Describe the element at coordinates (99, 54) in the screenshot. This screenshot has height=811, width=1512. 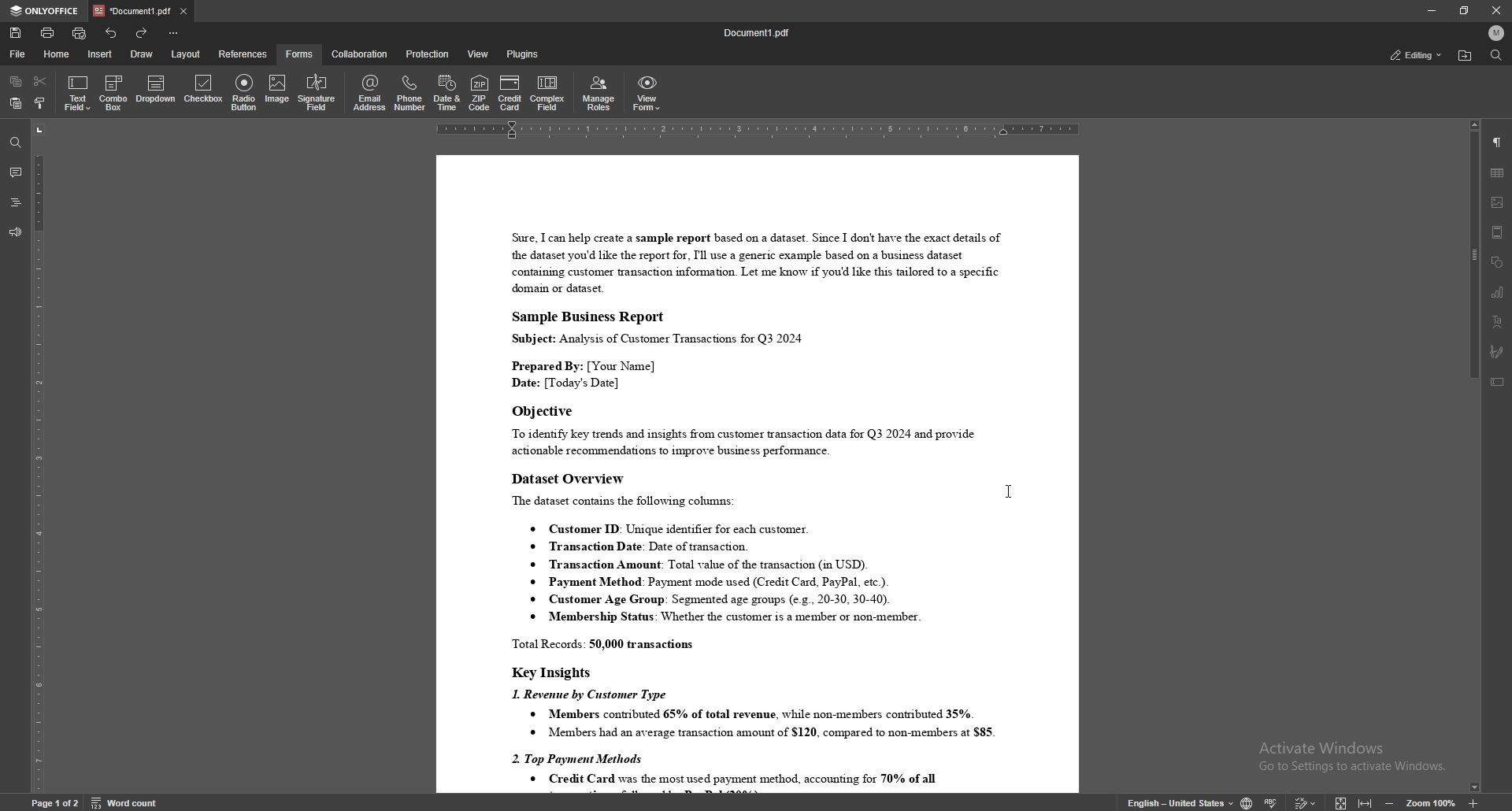
I see `insert` at that location.